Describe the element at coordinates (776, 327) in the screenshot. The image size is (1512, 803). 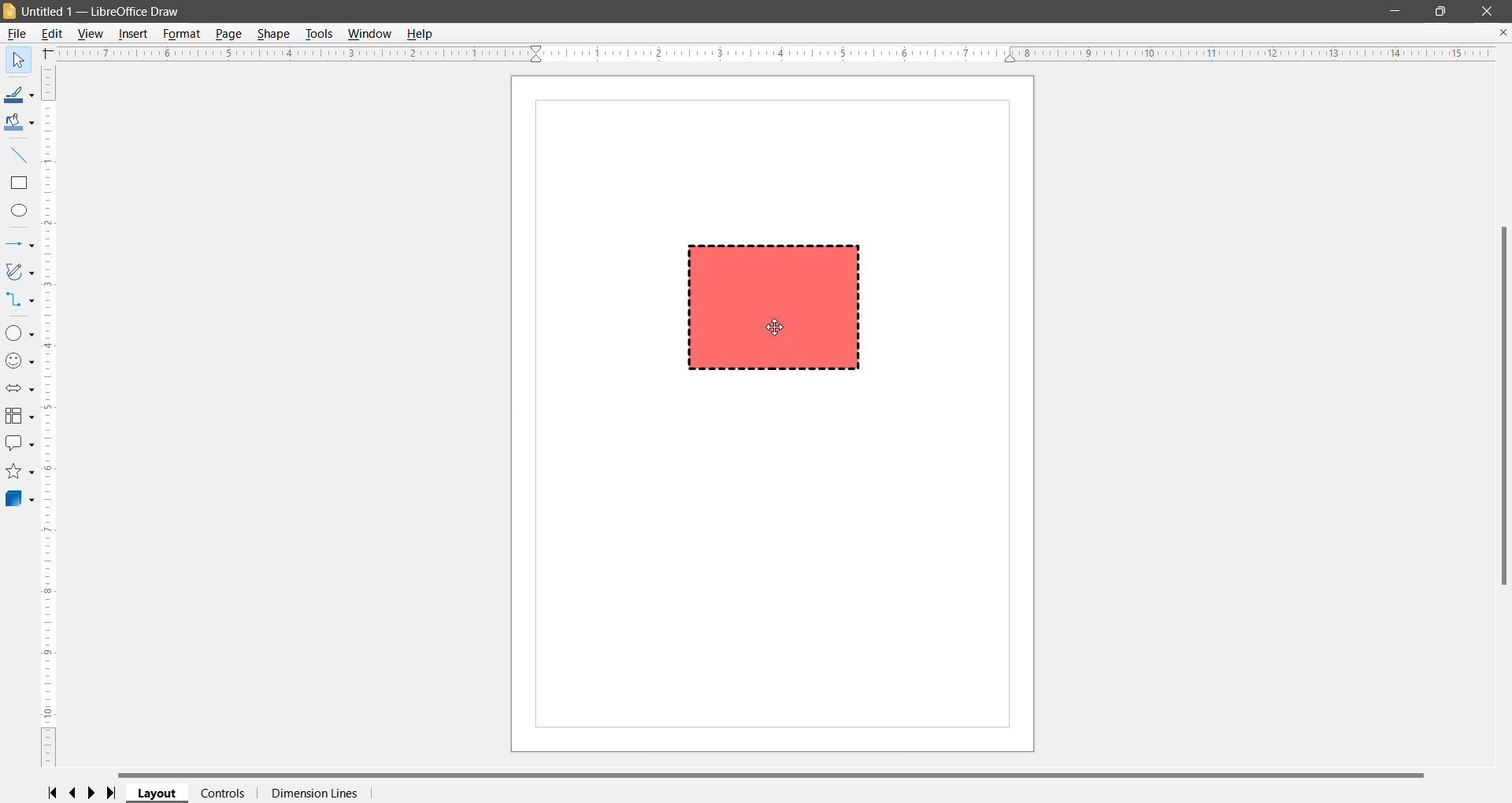
I see `cursor` at that location.